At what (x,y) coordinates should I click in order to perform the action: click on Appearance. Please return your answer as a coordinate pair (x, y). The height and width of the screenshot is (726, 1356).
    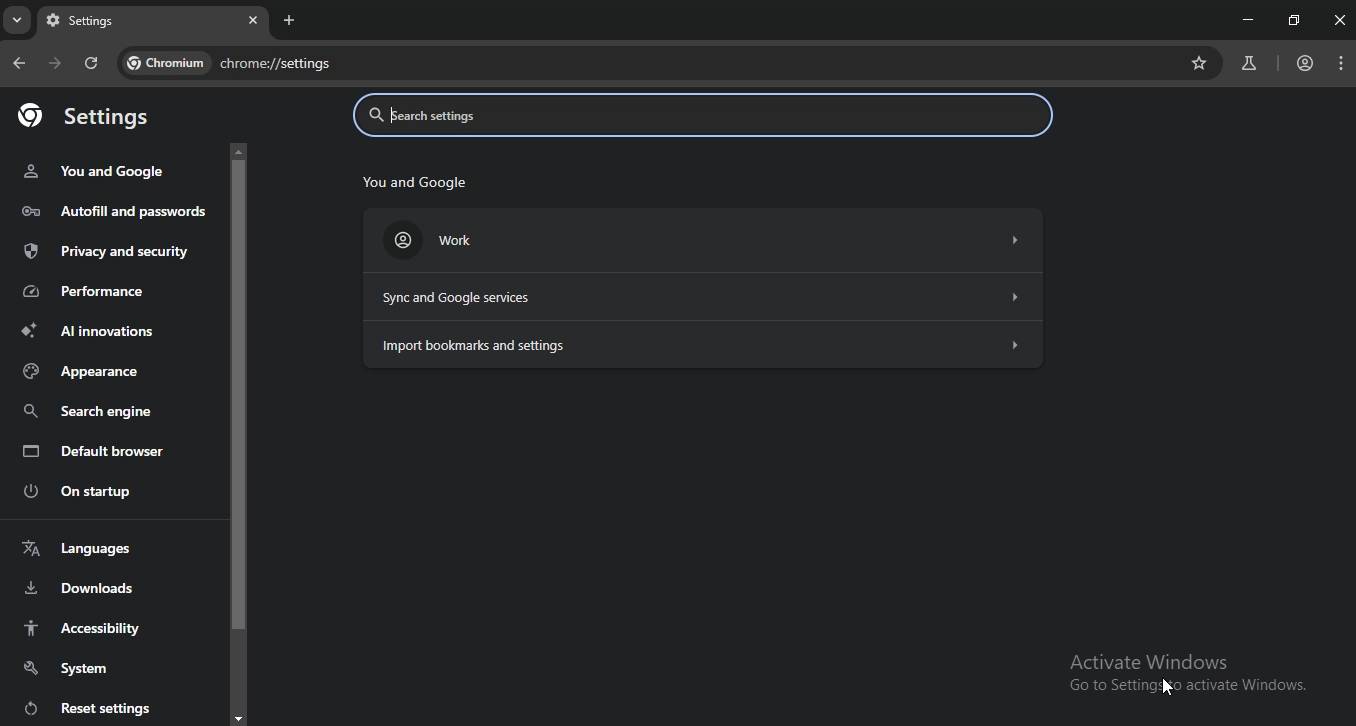
    Looking at the image, I should click on (84, 372).